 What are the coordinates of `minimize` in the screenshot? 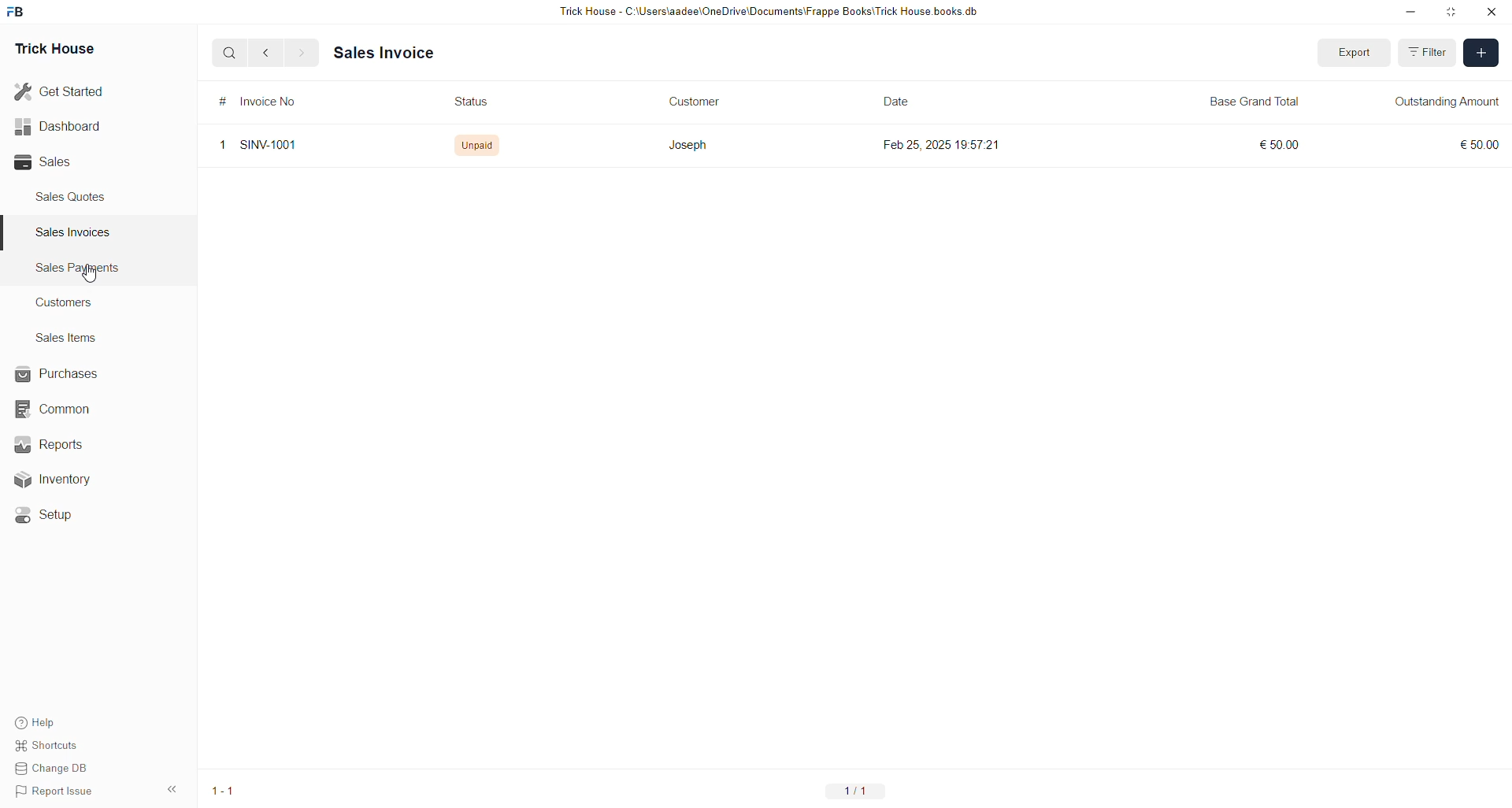 It's located at (1411, 13).